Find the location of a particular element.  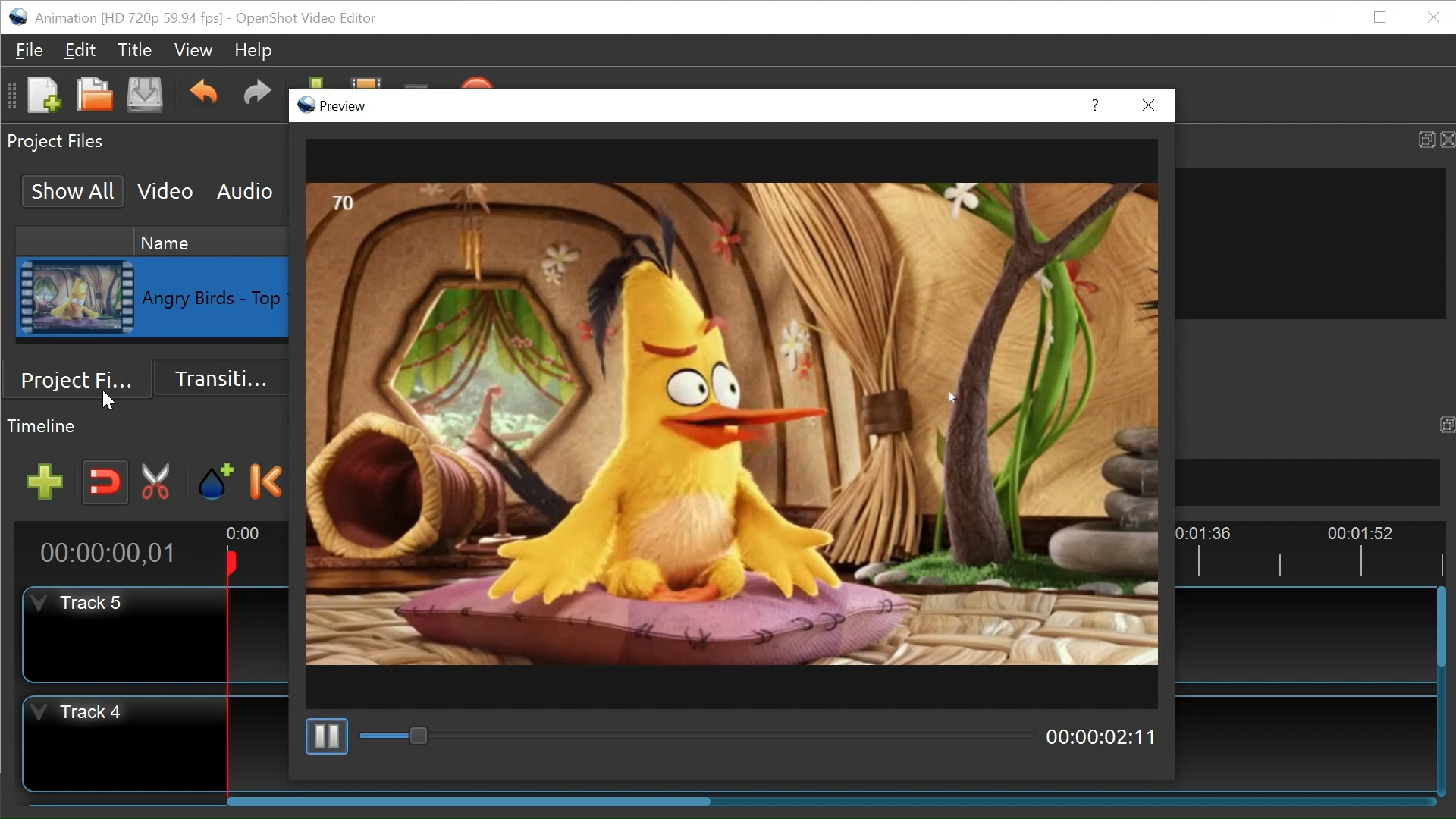

Show All is located at coordinates (74, 190).